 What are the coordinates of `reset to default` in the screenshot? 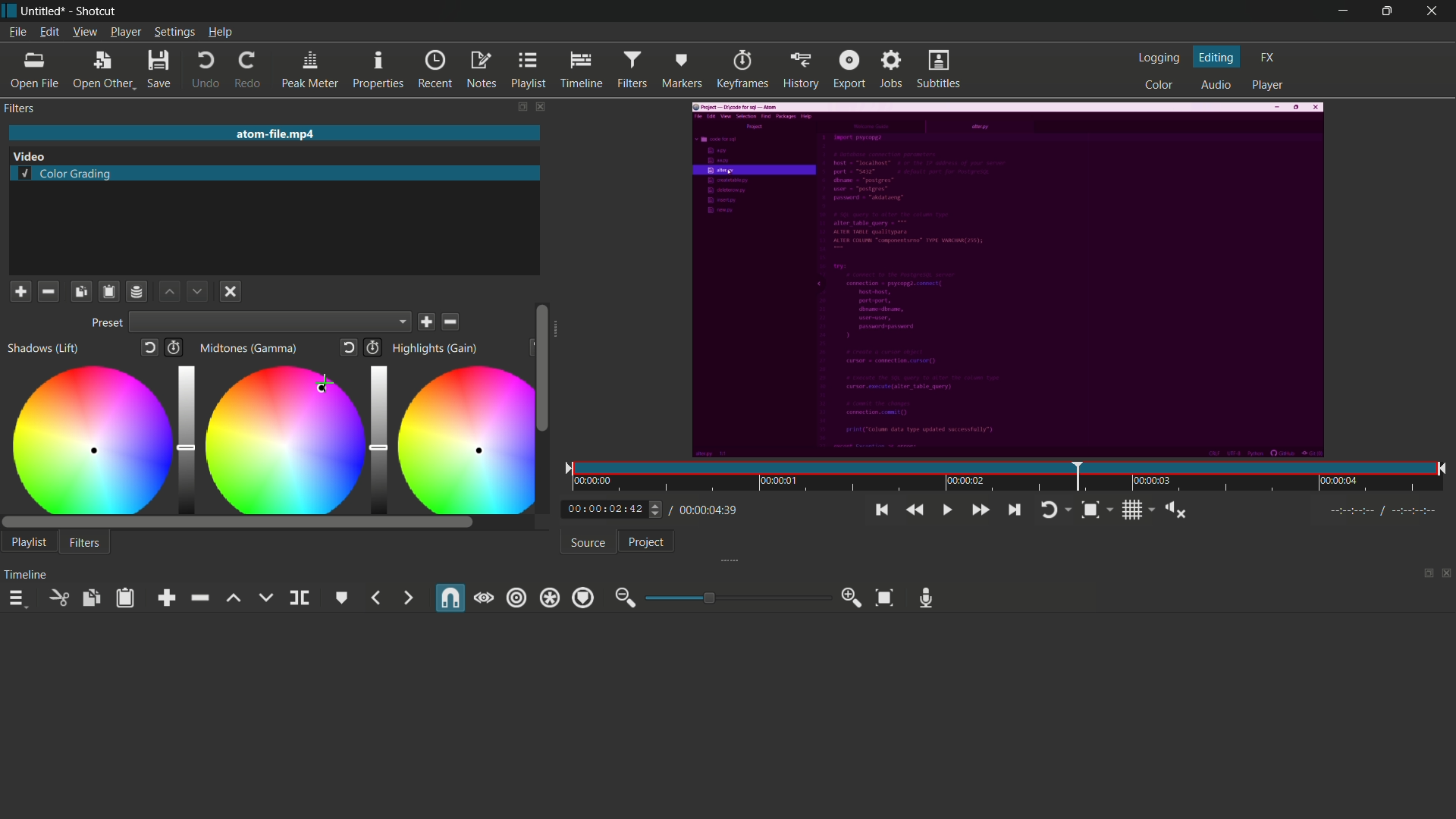 It's located at (350, 348).